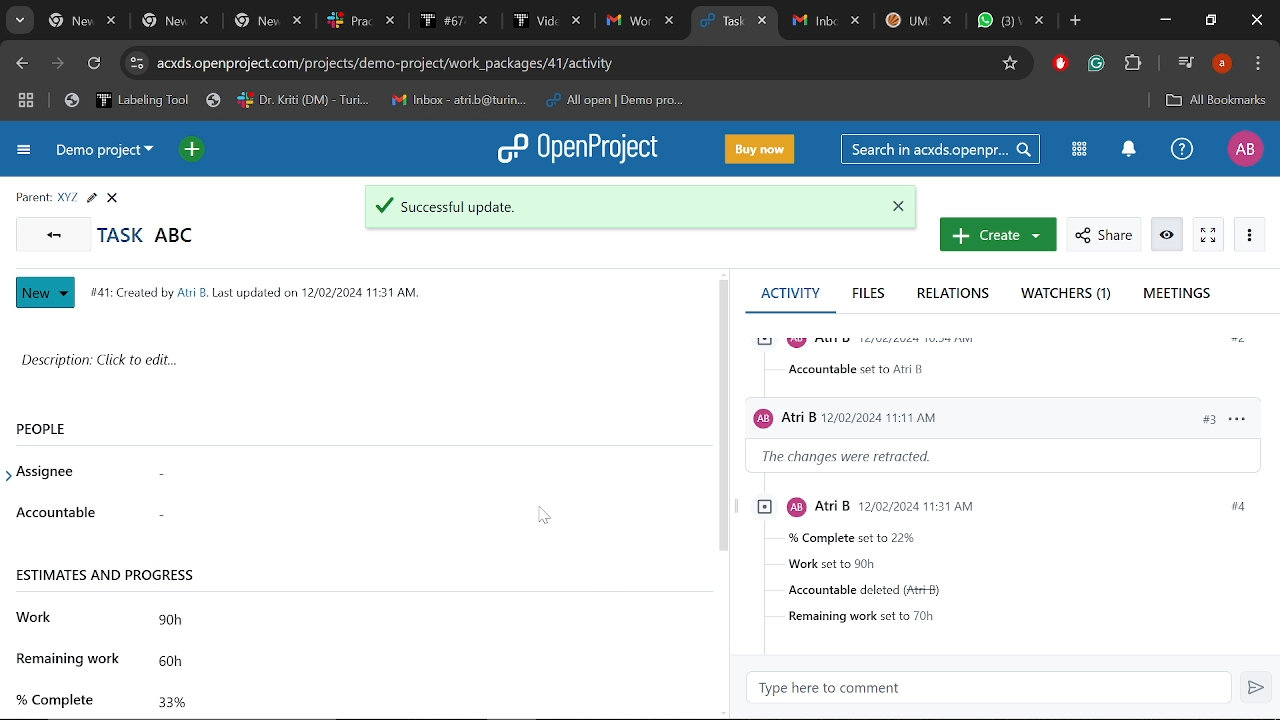  Describe the element at coordinates (366, 364) in the screenshot. I see `Space for writting description` at that location.